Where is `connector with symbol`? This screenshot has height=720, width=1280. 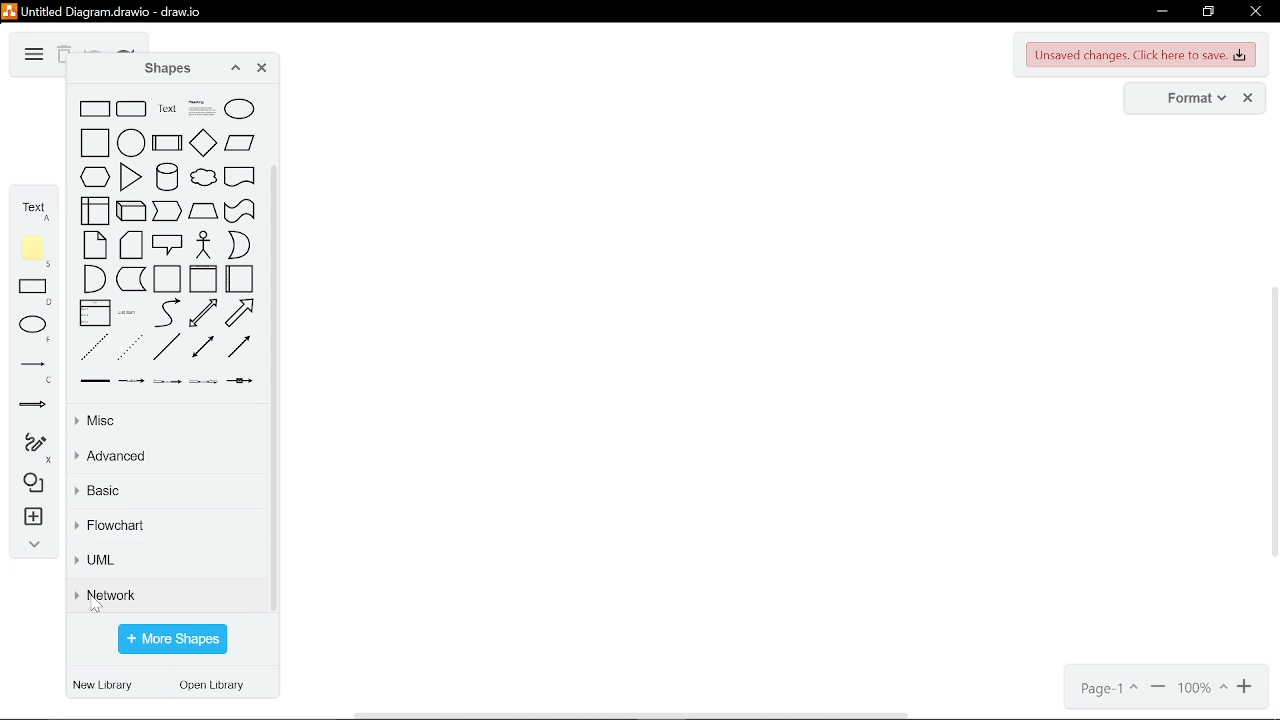 connector with symbol is located at coordinates (240, 381).